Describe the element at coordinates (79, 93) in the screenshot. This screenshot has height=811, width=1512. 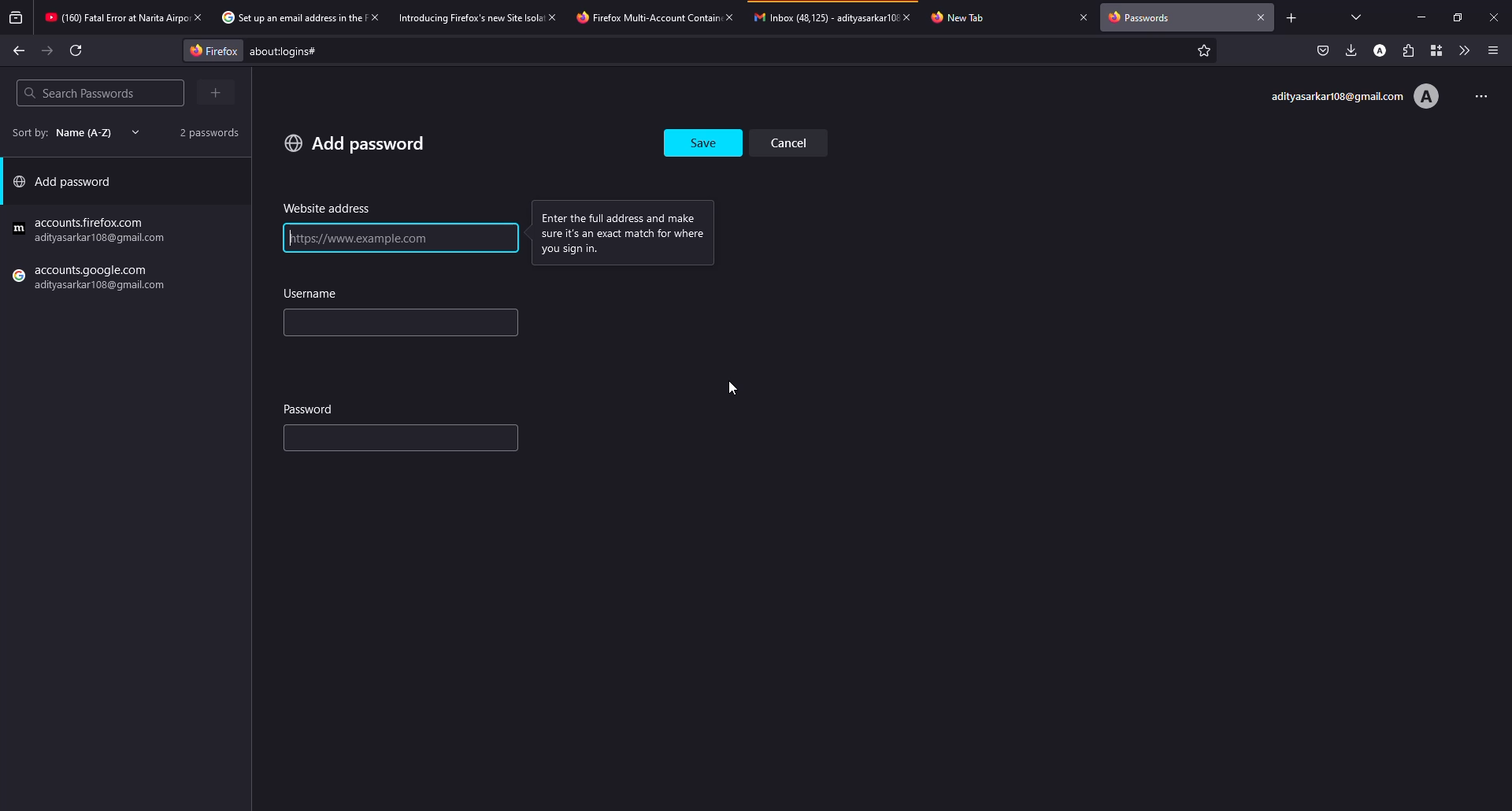
I see `search` at that location.